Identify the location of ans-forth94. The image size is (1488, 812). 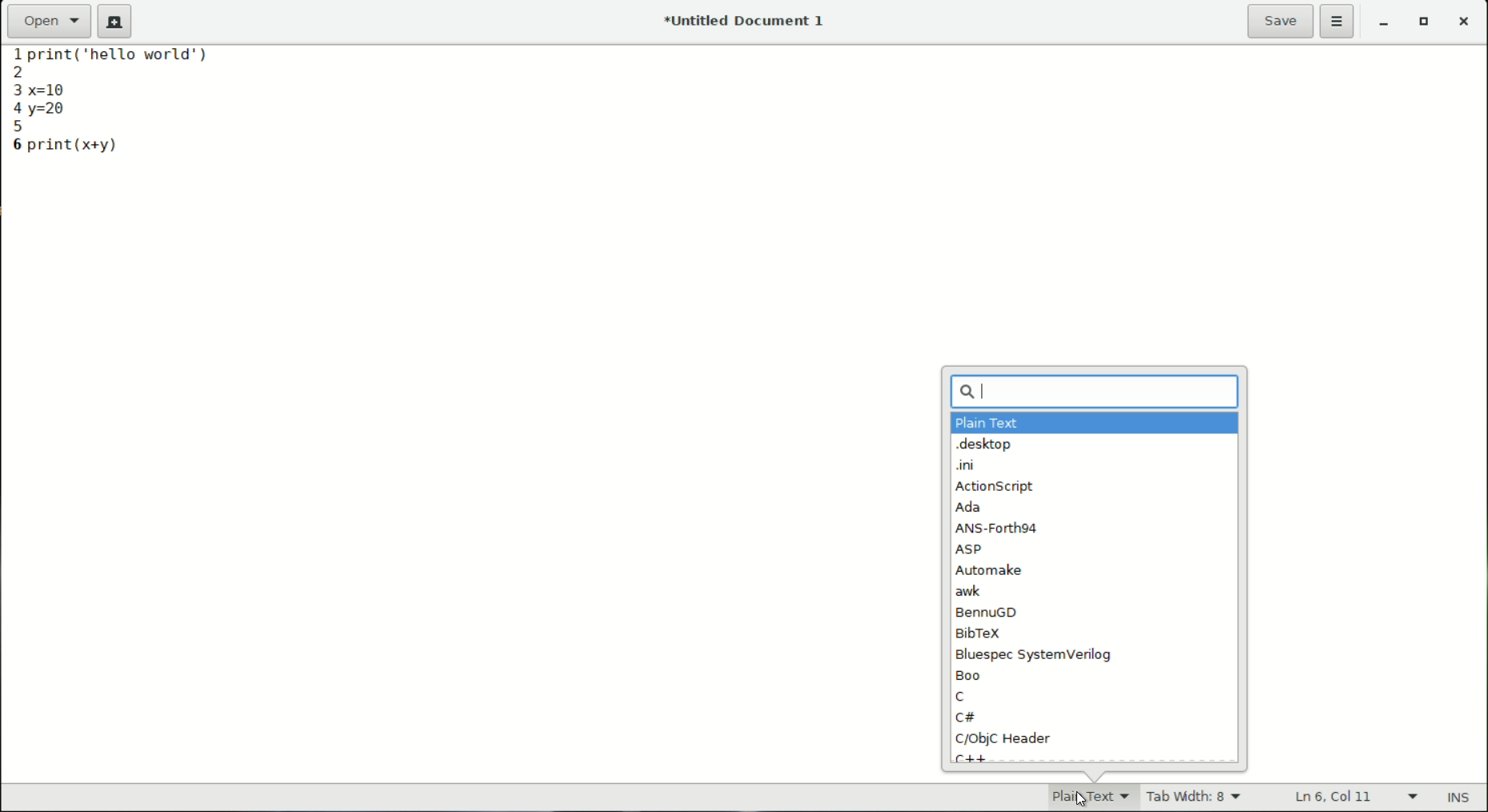
(999, 528).